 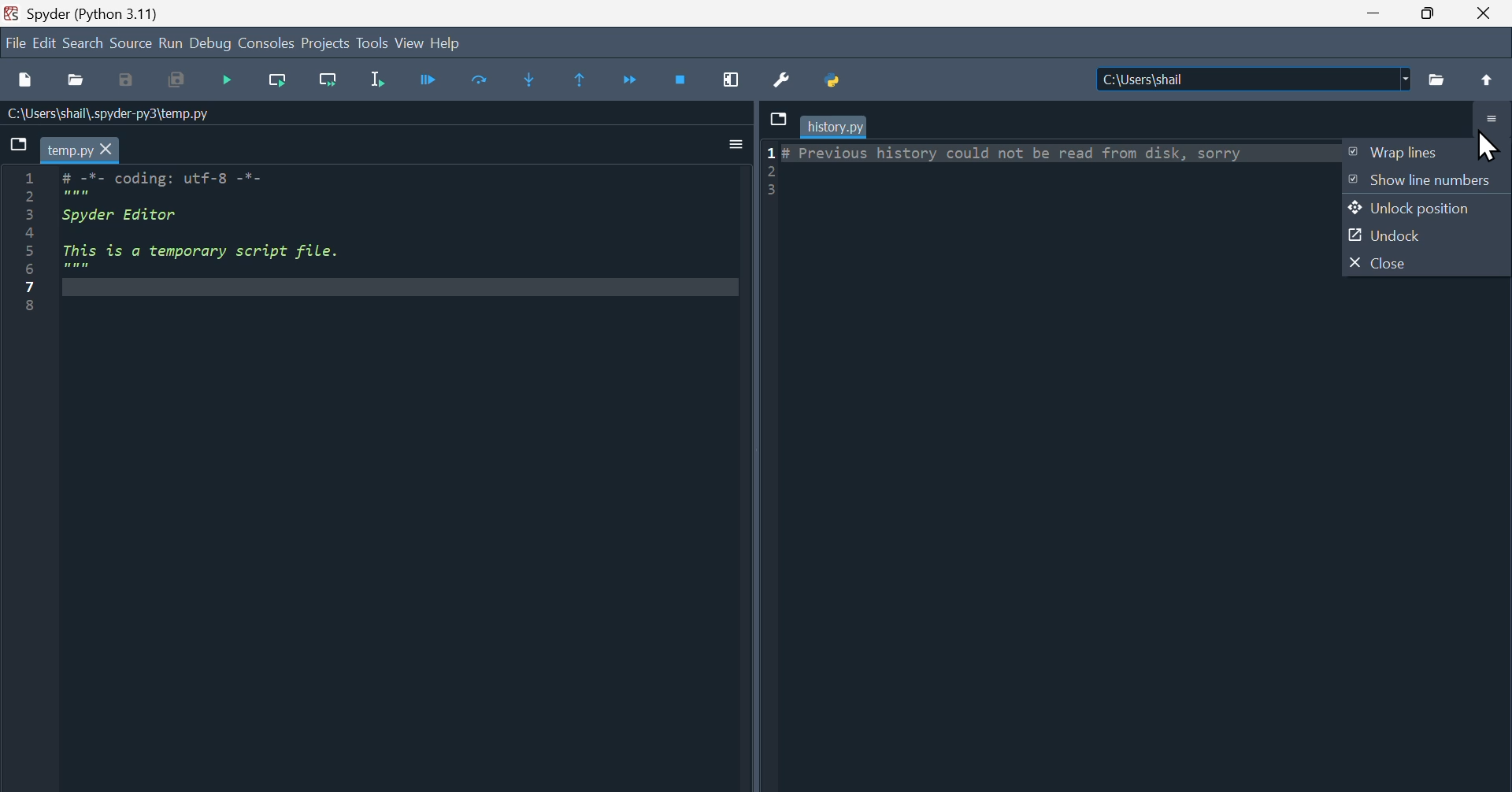 What do you see at coordinates (532, 80) in the screenshot?
I see `Step into function` at bounding box center [532, 80].